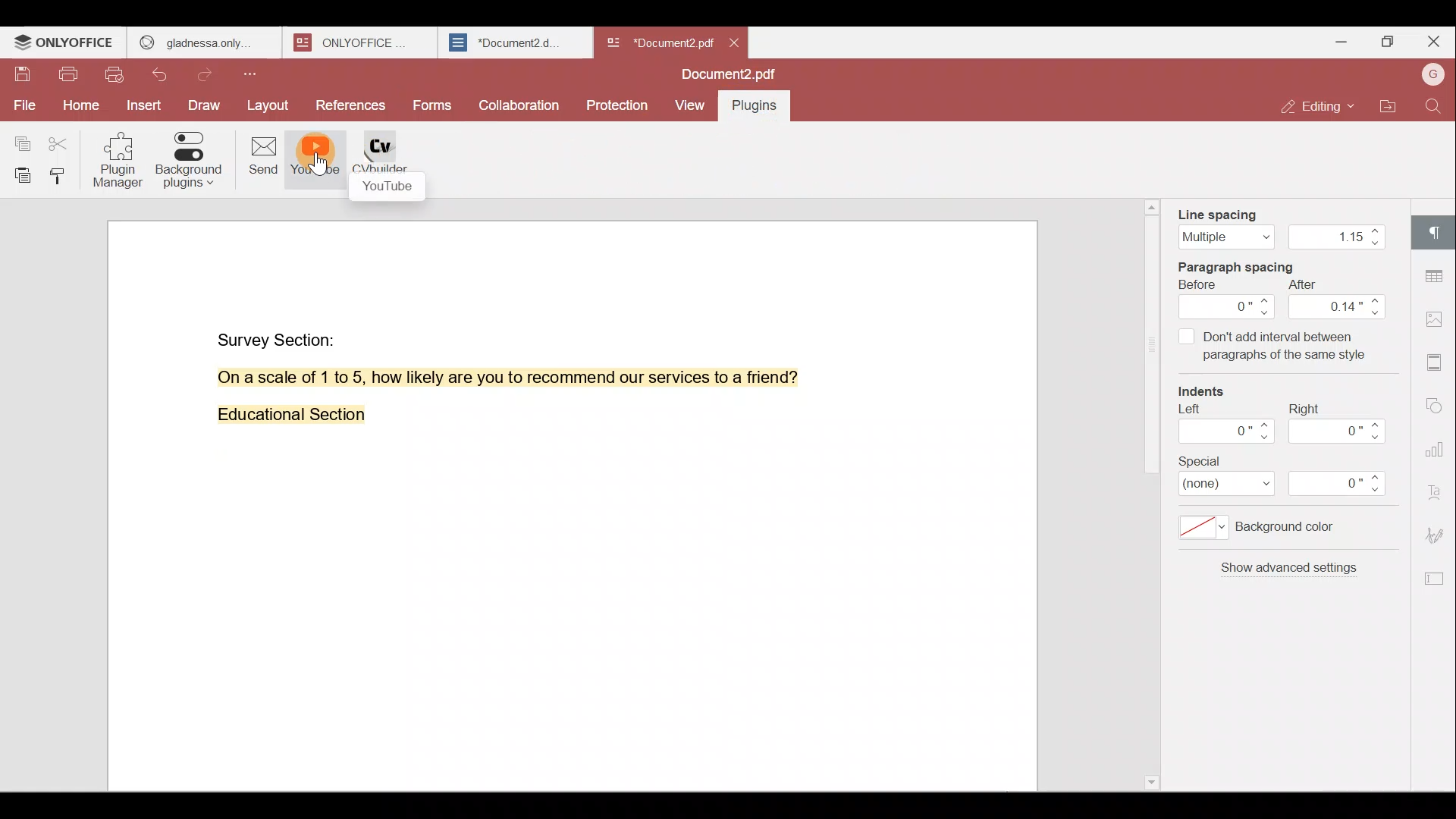 The image size is (1456, 819). Describe the element at coordinates (315, 161) in the screenshot. I see `YouTube` at that location.